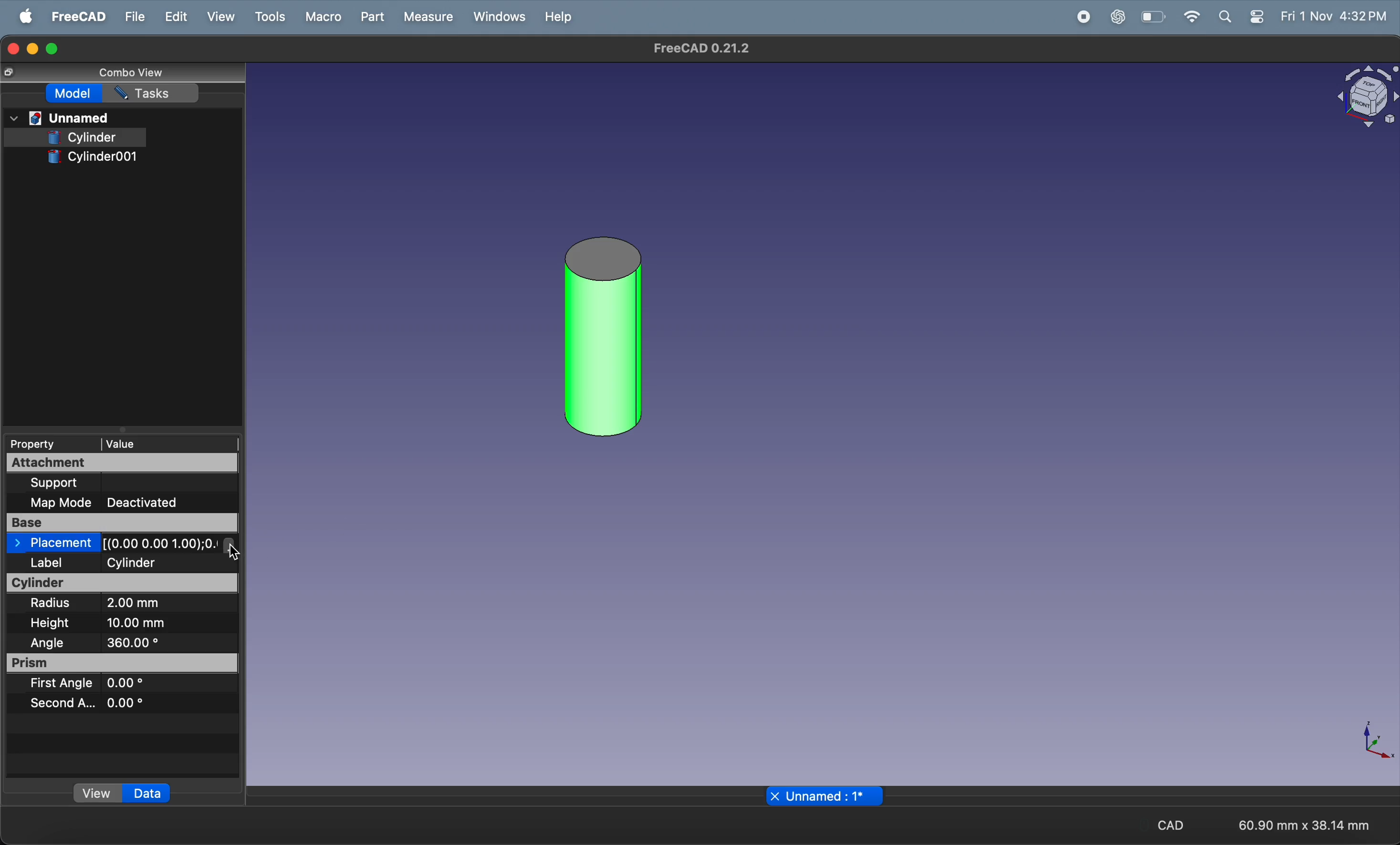 The width and height of the screenshot is (1400, 845). Describe the element at coordinates (1191, 16) in the screenshot. I see `wifi` at that location.